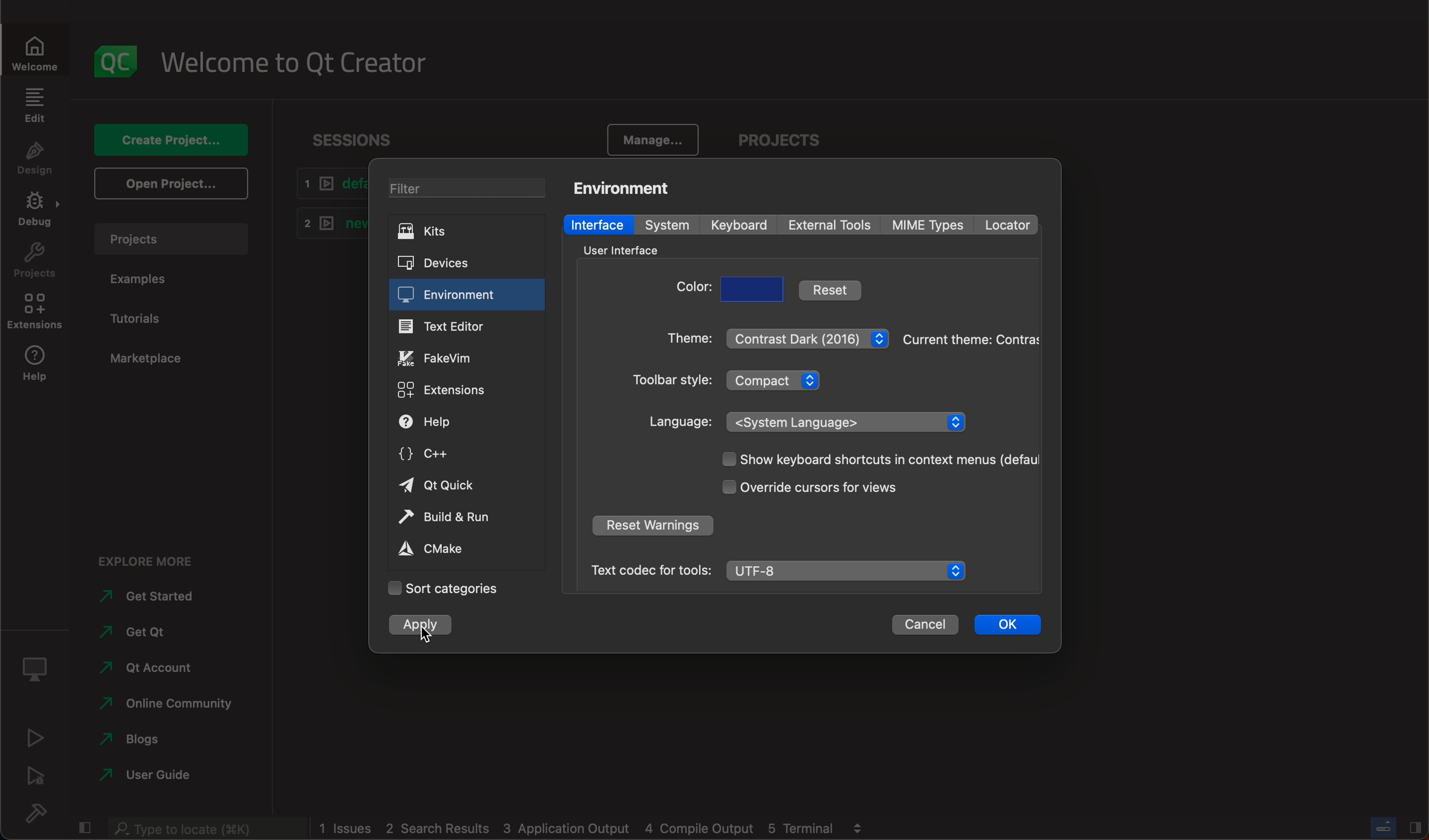 This screenshot has width=1429, height=840. I want to click on create, so click(170, 135).